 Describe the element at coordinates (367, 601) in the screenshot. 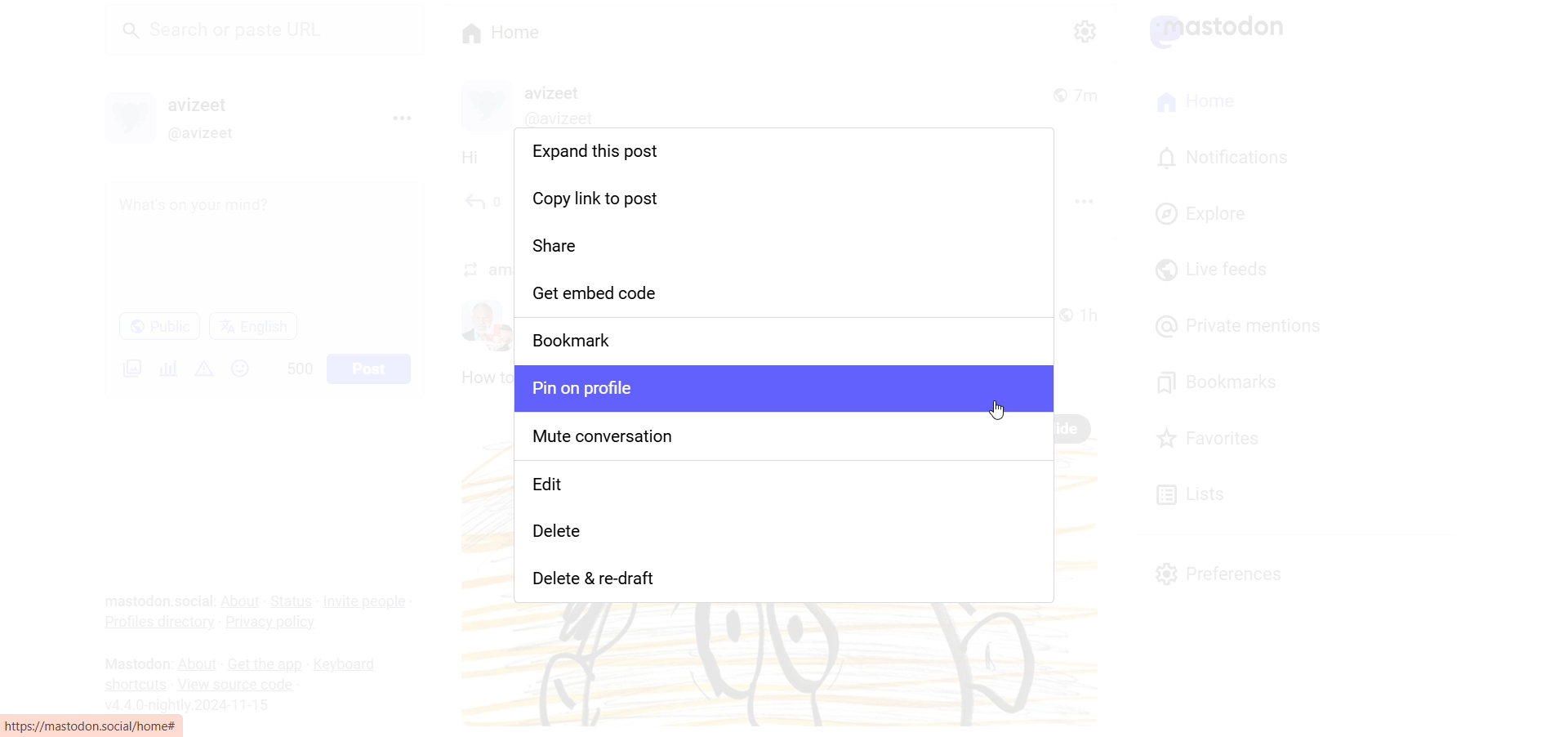

I see `Invite People` at that location.